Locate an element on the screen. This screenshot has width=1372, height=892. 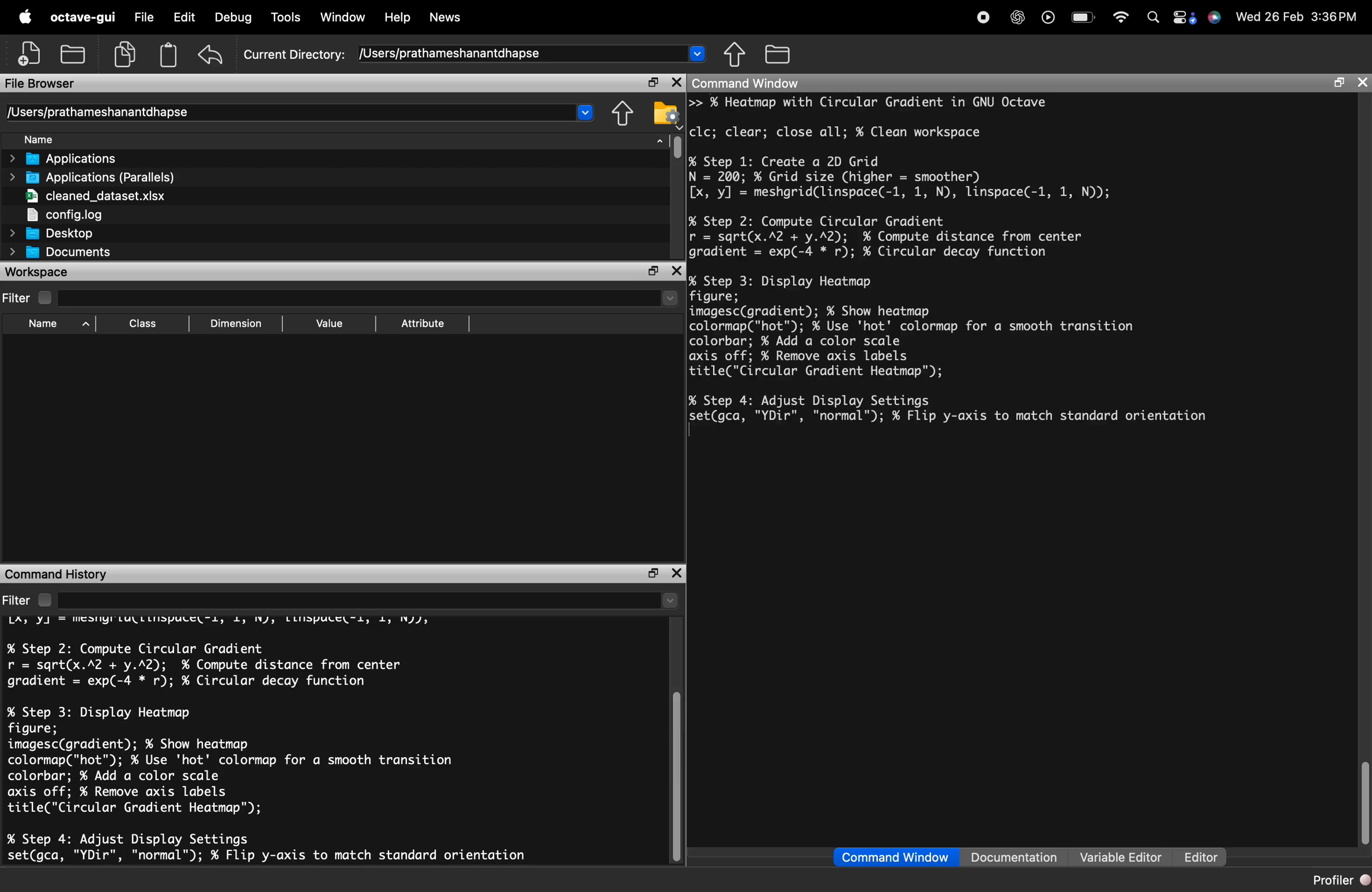
chat gpt is located at coordinates (1018, 17).